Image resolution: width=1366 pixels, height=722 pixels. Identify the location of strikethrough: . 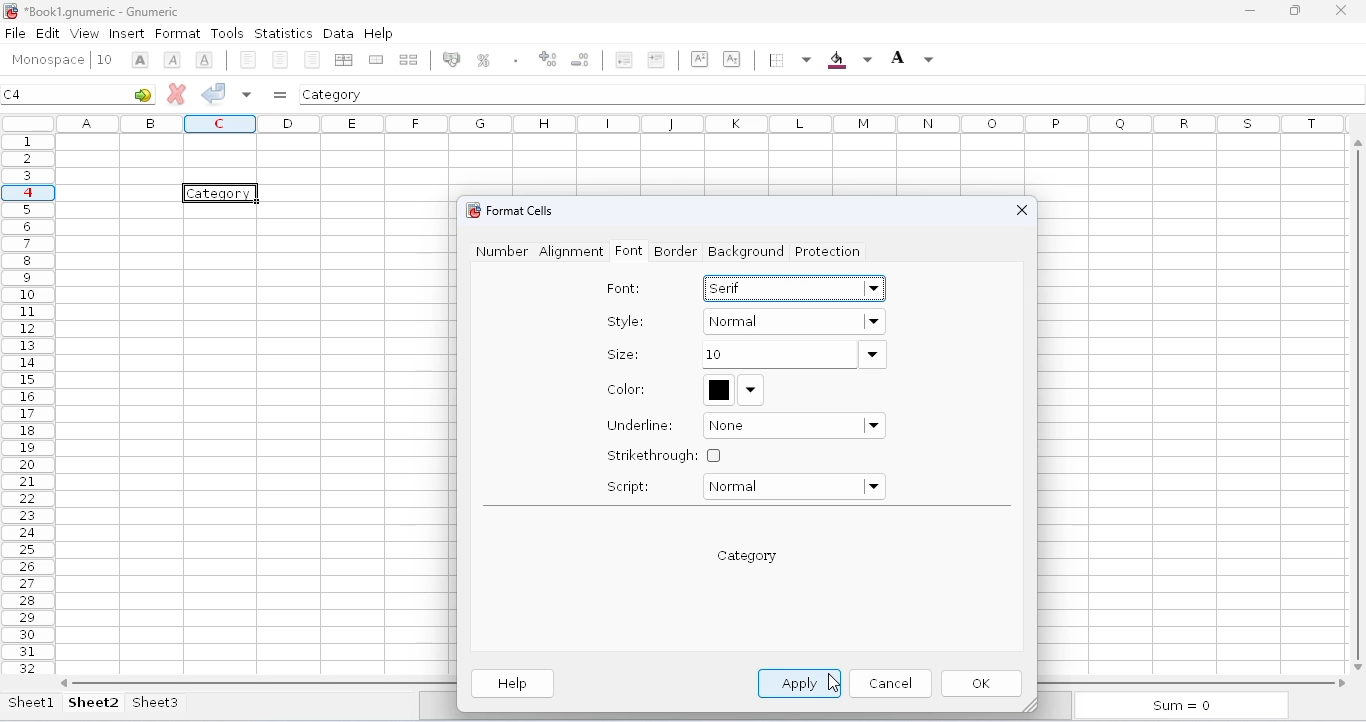
(664, 455).